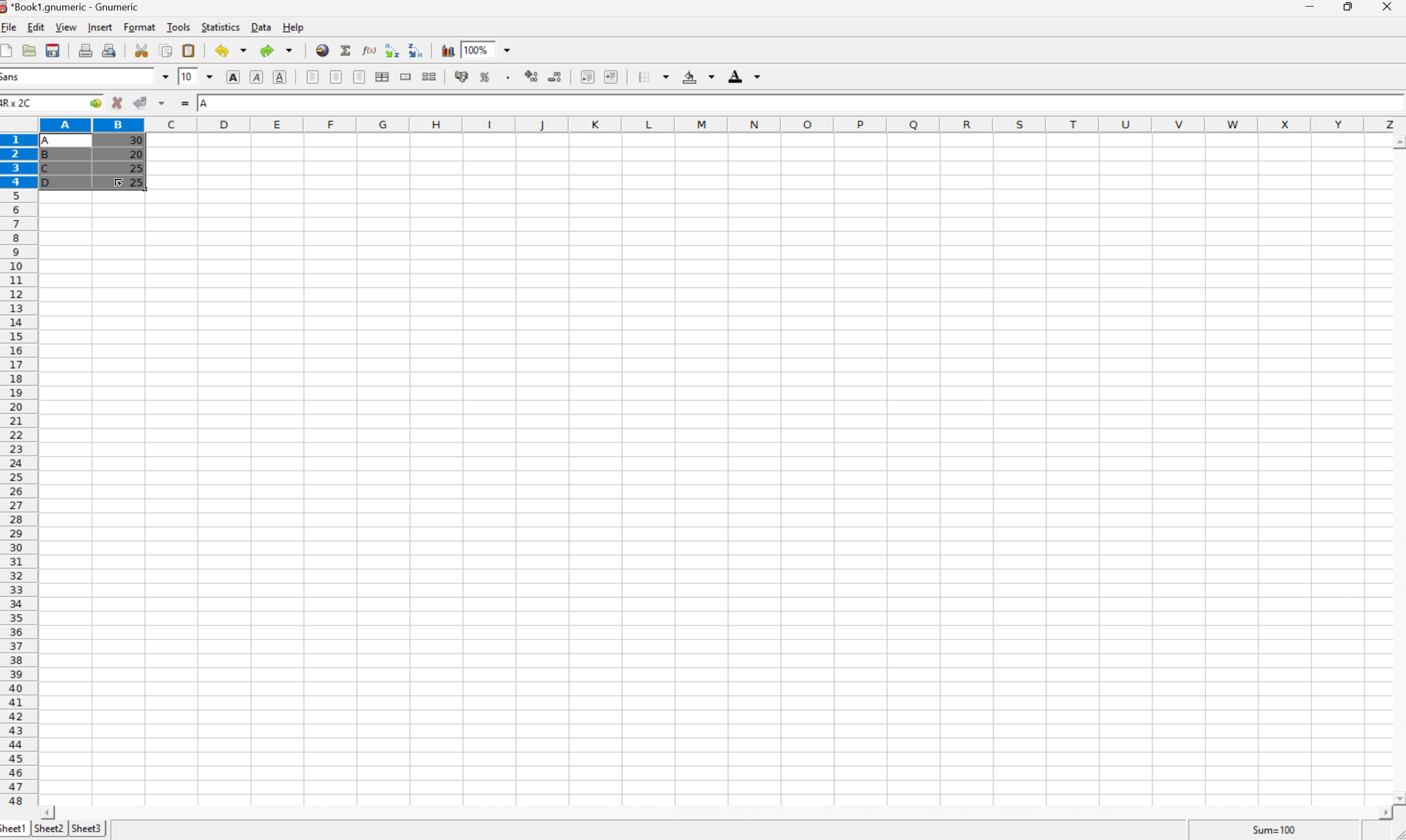  I want to click on Background, so click(698, 78).